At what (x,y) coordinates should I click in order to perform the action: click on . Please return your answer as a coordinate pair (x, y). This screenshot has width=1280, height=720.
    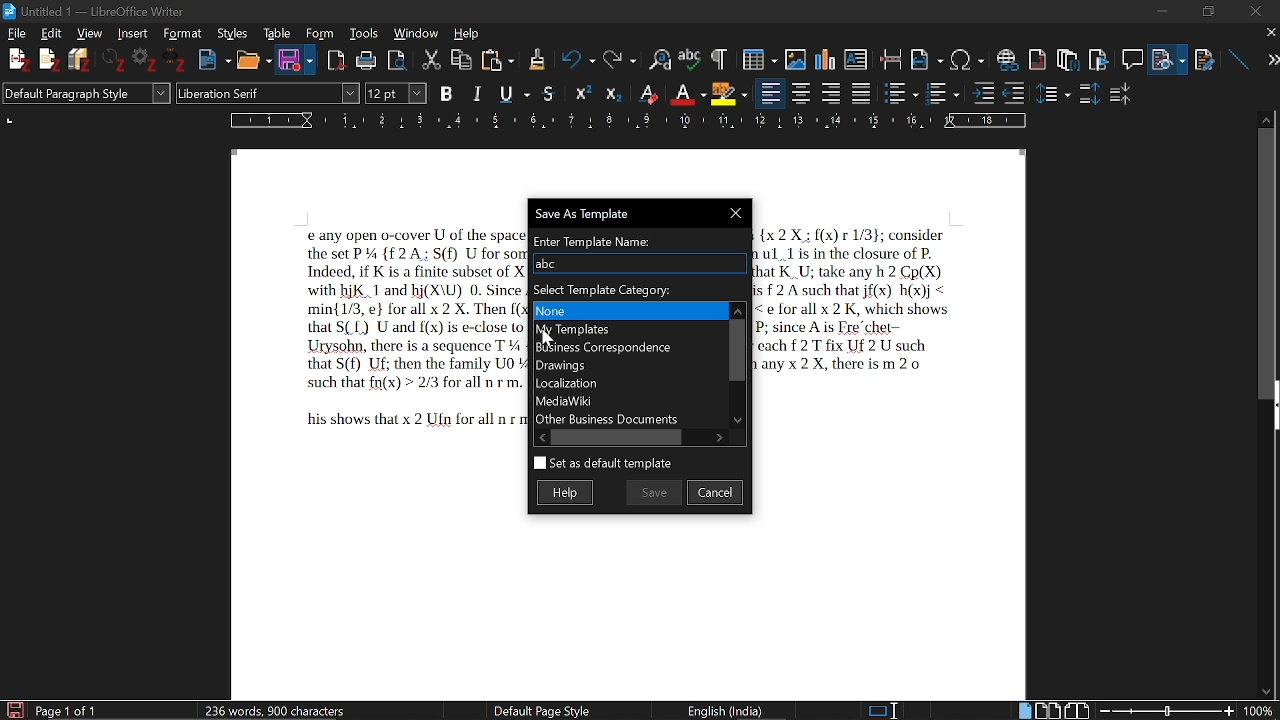
    Looking at the image, I should click on (1055, 93).